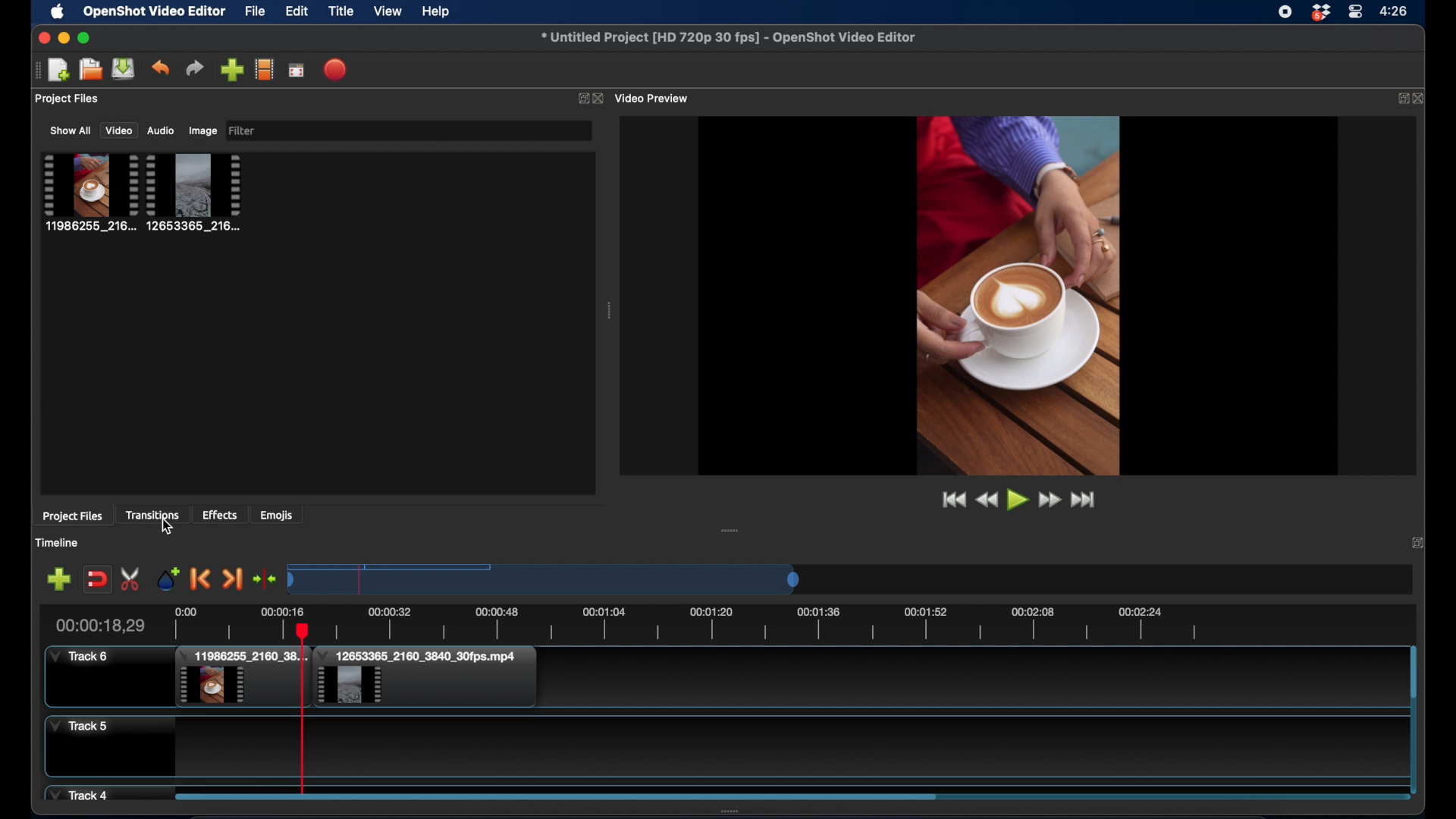 Image resolution: width=1456 pixels, height=819 pixels. I want to click on filter, so click(243, 131).